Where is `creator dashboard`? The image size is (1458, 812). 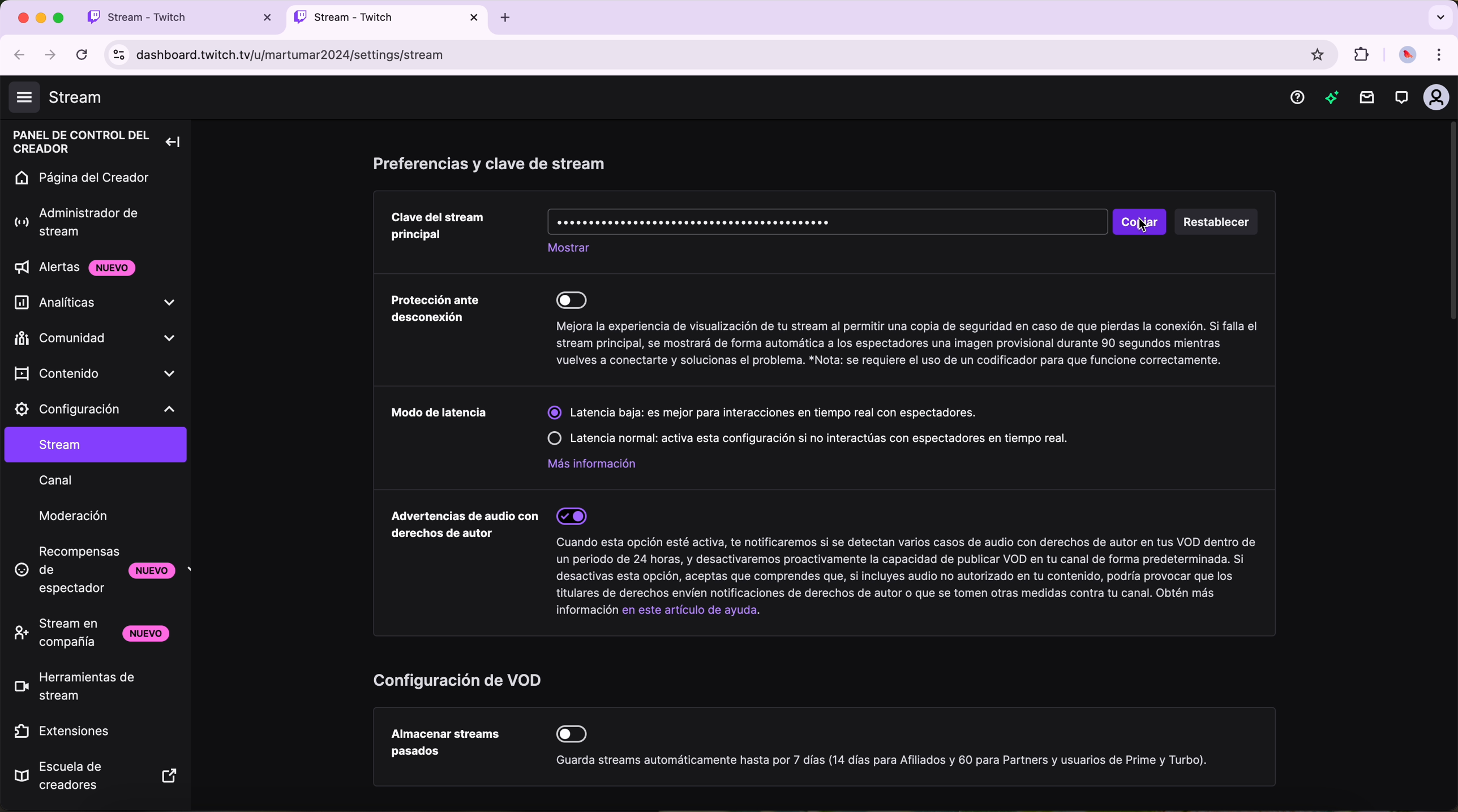 creator dashboard is located at coordinates (80, 143).